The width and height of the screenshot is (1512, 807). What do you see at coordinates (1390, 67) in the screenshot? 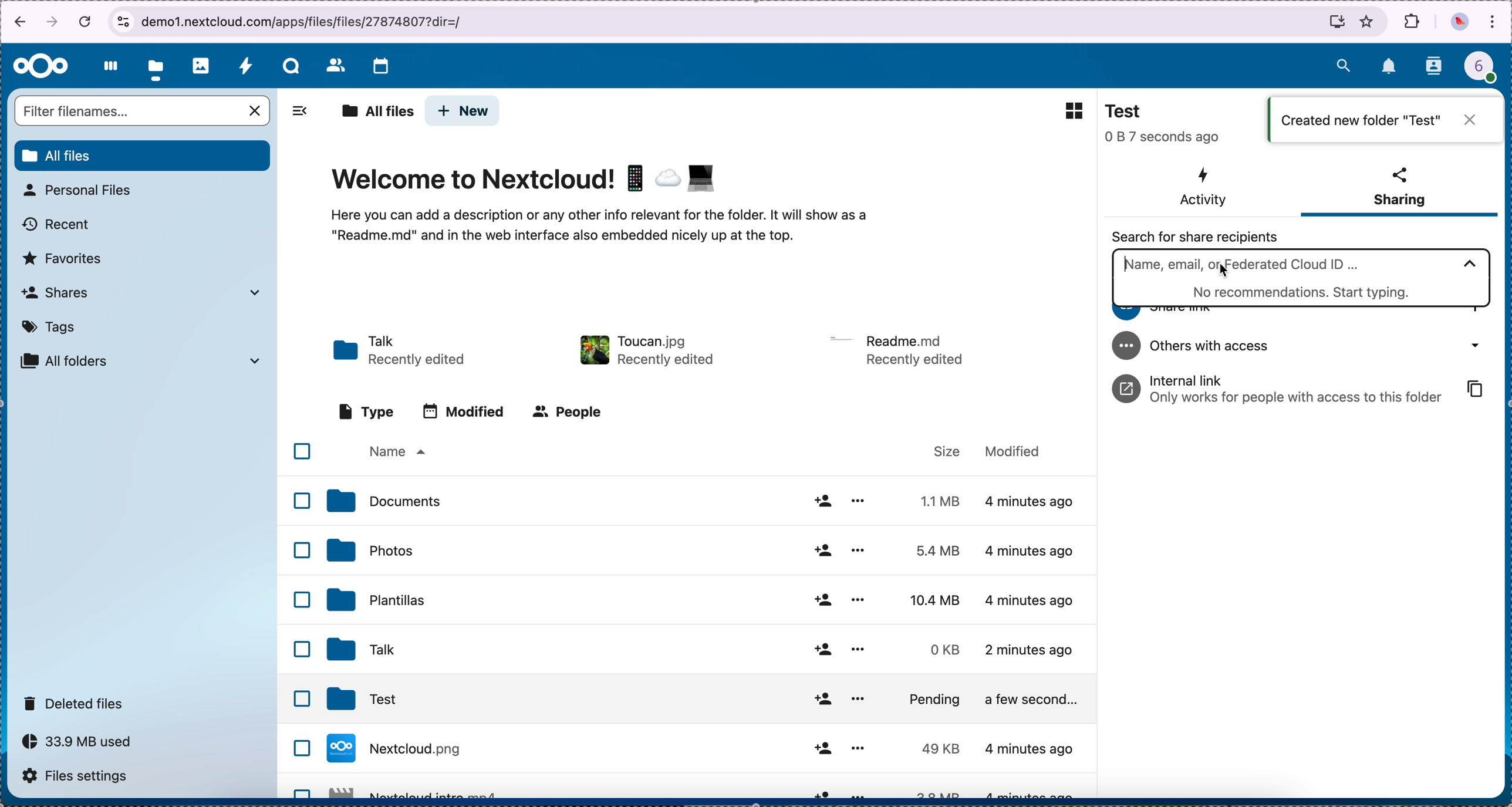
I see `notifications` at bounding box center [1390, 67].